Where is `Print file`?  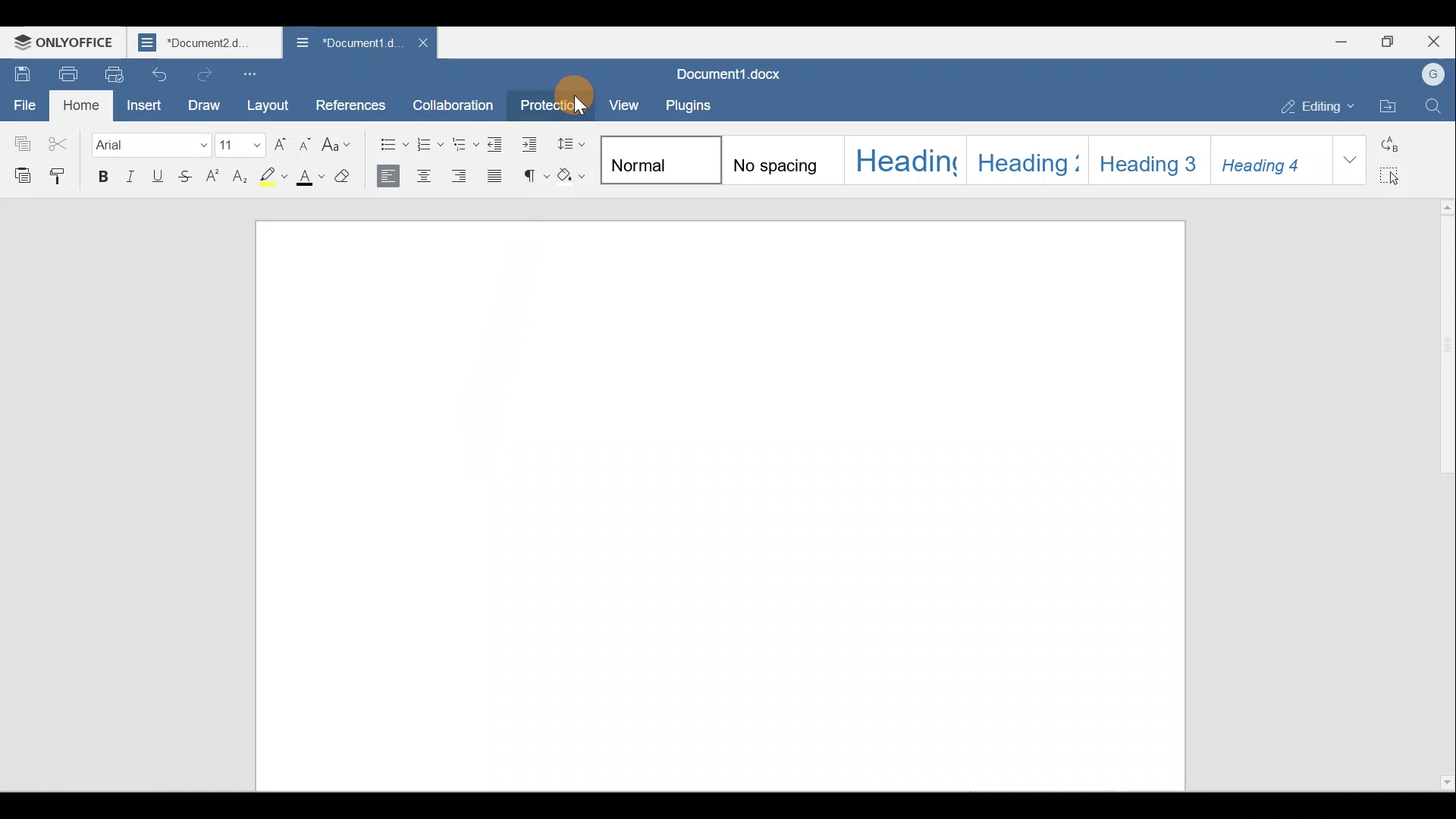 Print file is located at coordinates (67, 74).